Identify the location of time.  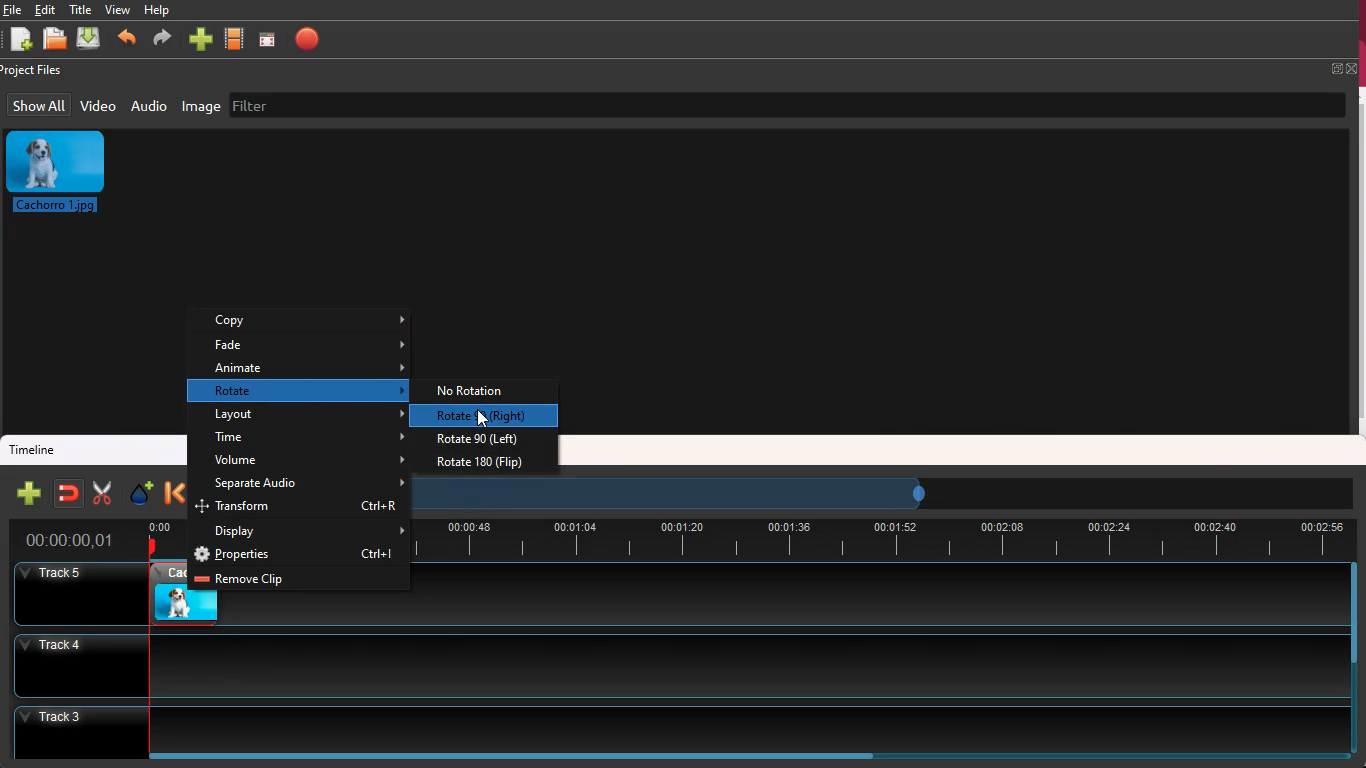
(308, 439).